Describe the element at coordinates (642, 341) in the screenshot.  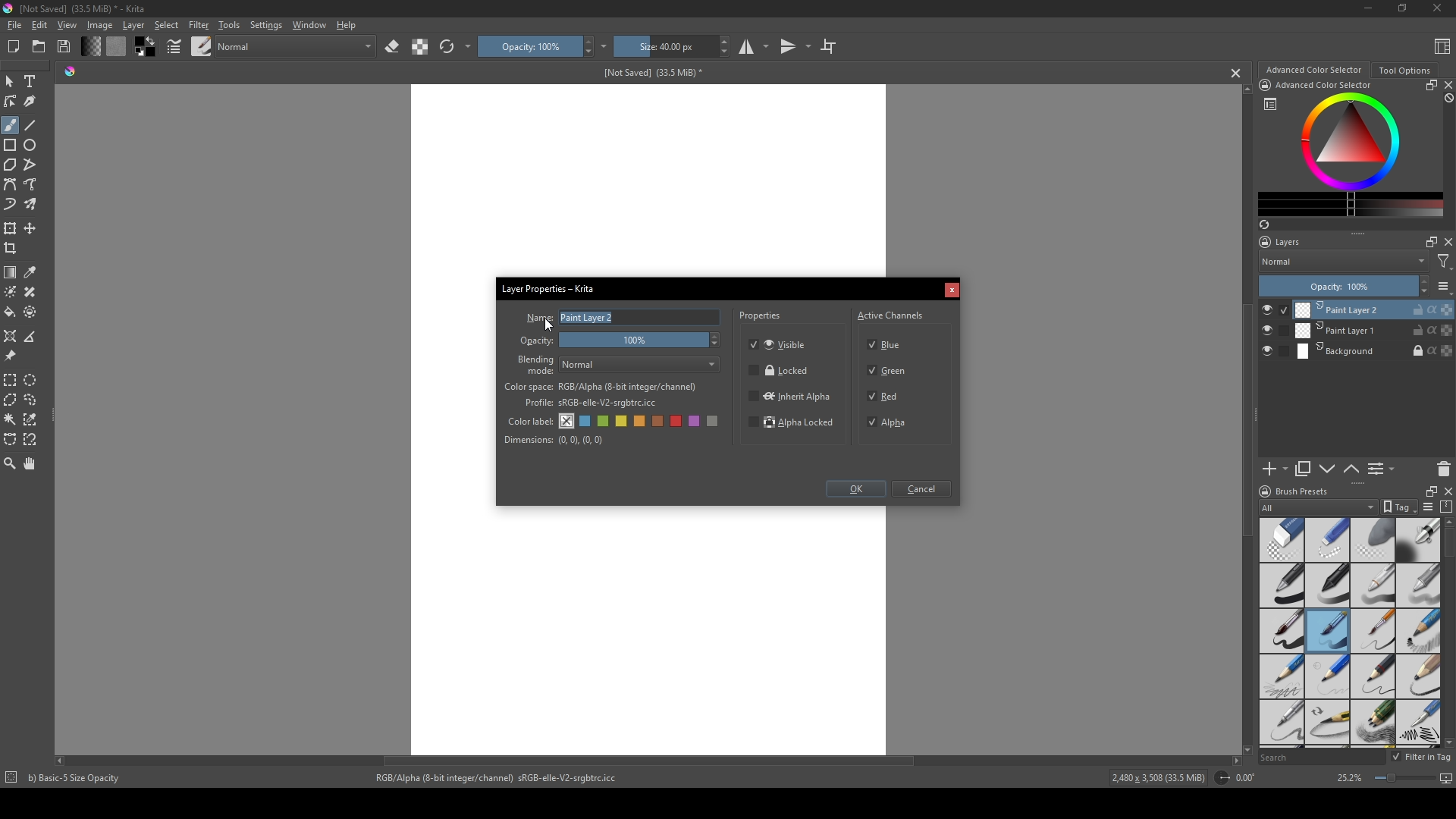
I see `100%` at that location.